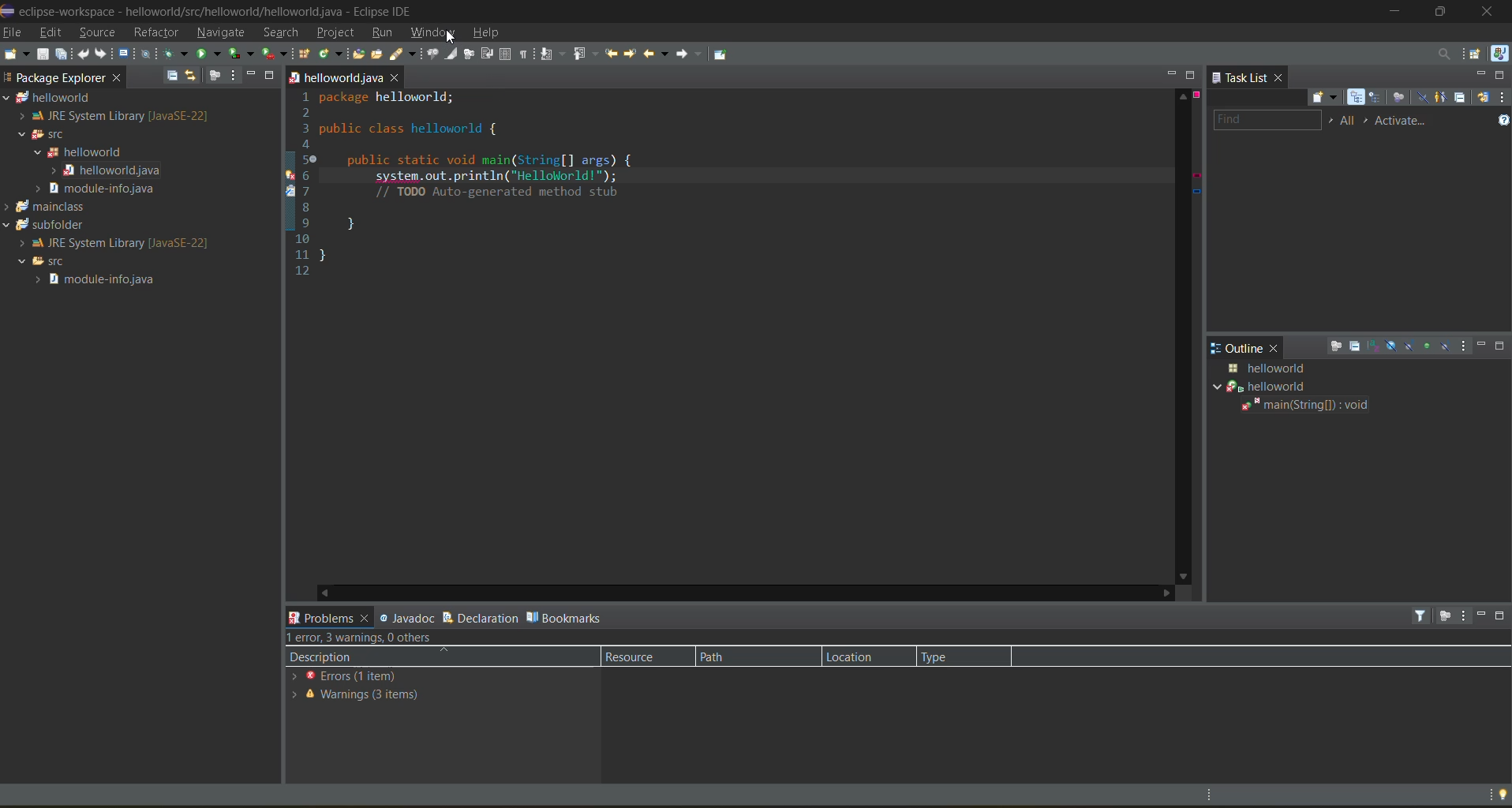  Describe the element at coordinates (360, 54) in the screenshot. I see `open type` at that location.